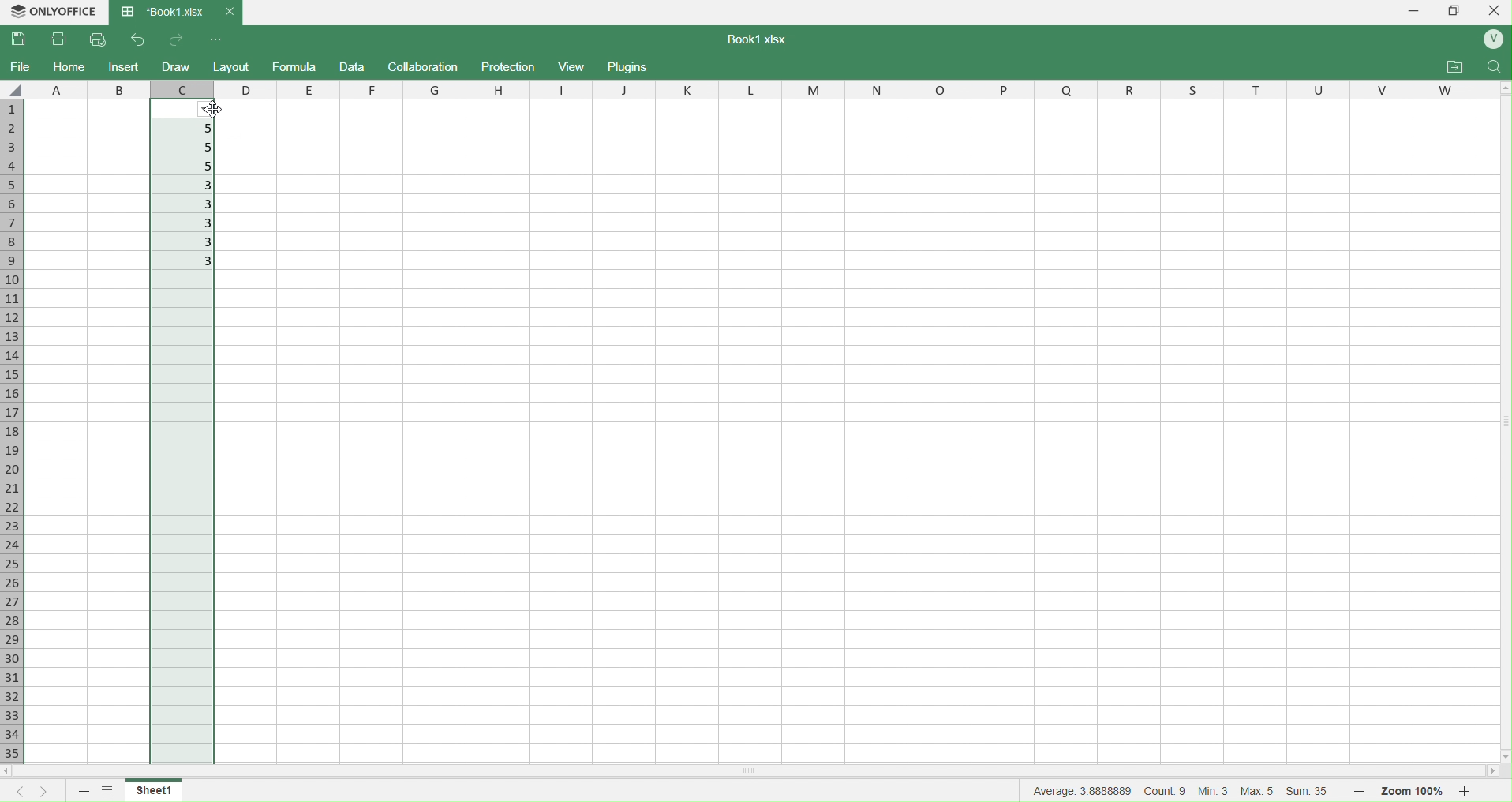  What do you see at coordinates (627, 66) in the screenshot?
I see `Plugins` at bounding box center [627, 66].